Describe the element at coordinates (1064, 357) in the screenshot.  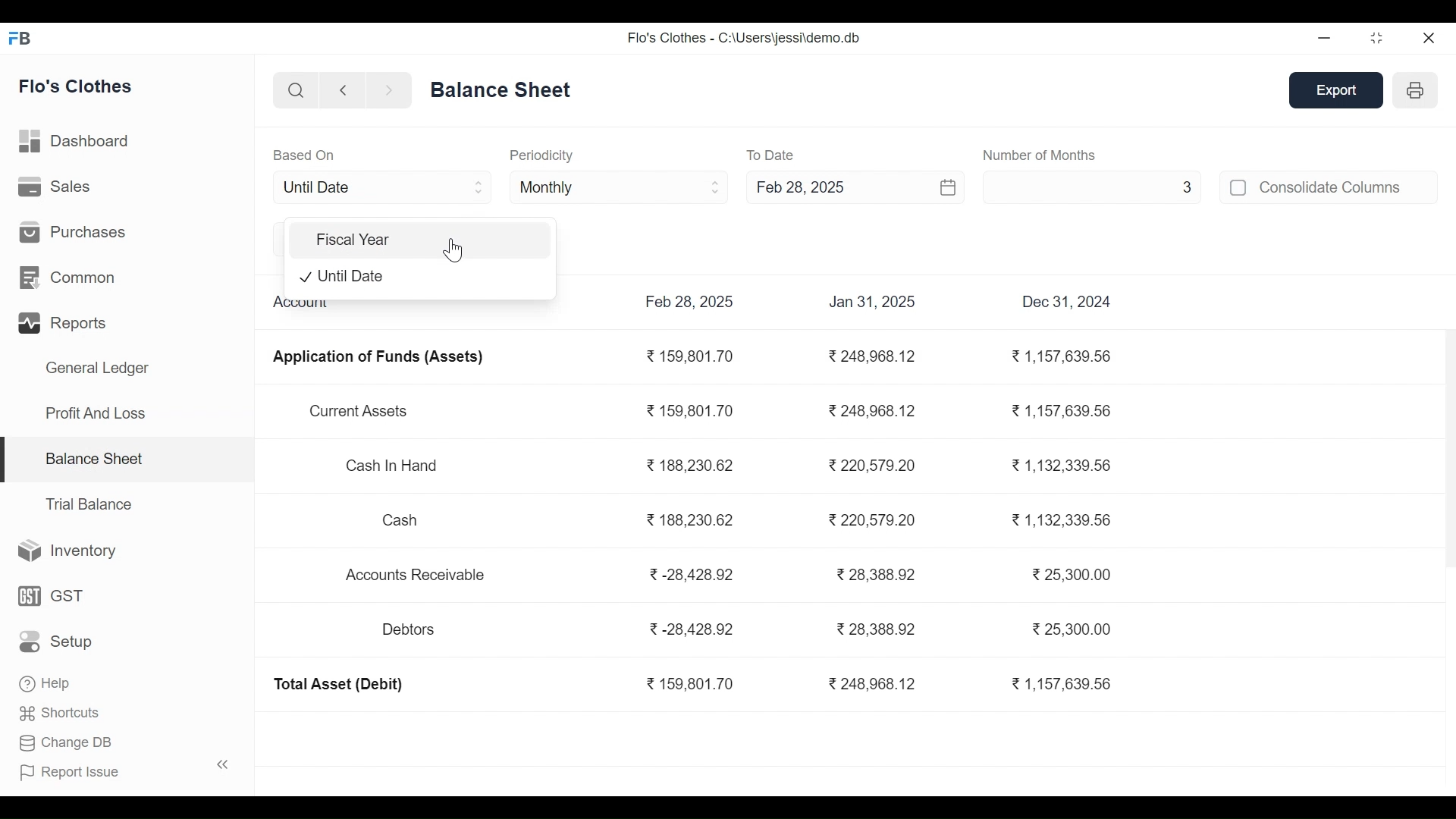
I see `1,157,639.56` at that location.